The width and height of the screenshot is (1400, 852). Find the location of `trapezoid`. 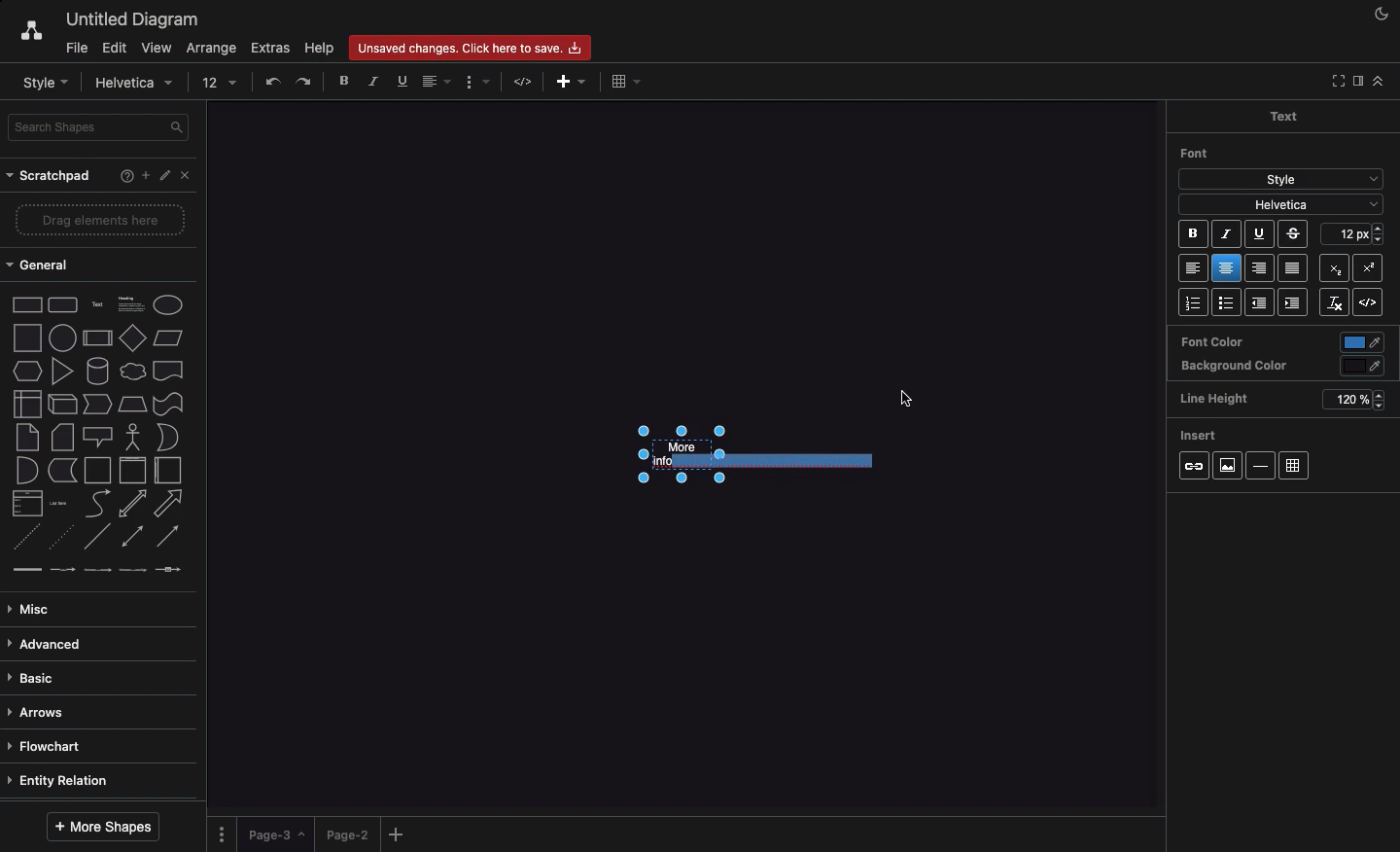

trapezoid is located at coordinates (132, 405).